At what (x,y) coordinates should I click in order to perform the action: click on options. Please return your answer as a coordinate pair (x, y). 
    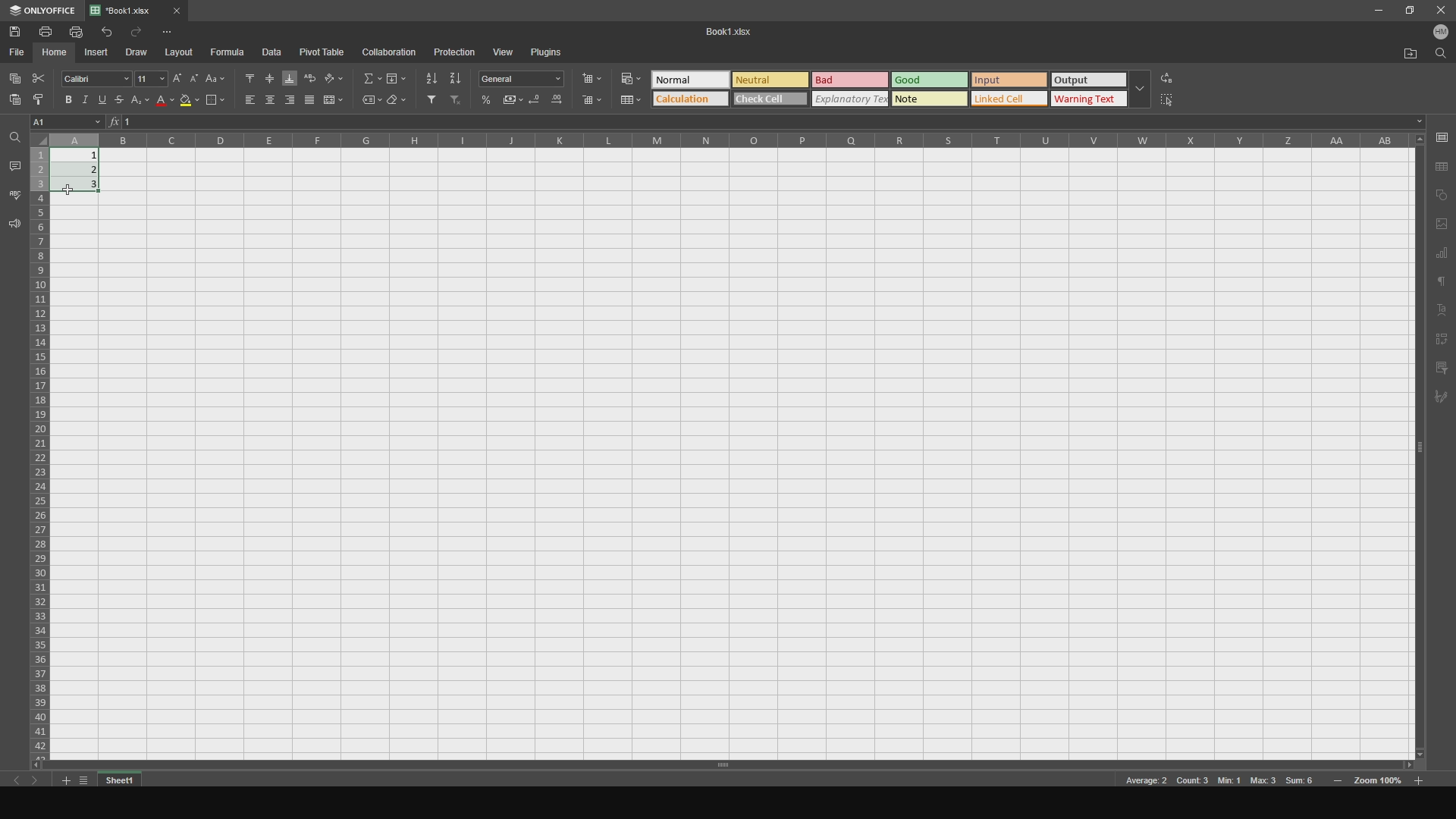
    Looking at the image, I should click on (180, 30).